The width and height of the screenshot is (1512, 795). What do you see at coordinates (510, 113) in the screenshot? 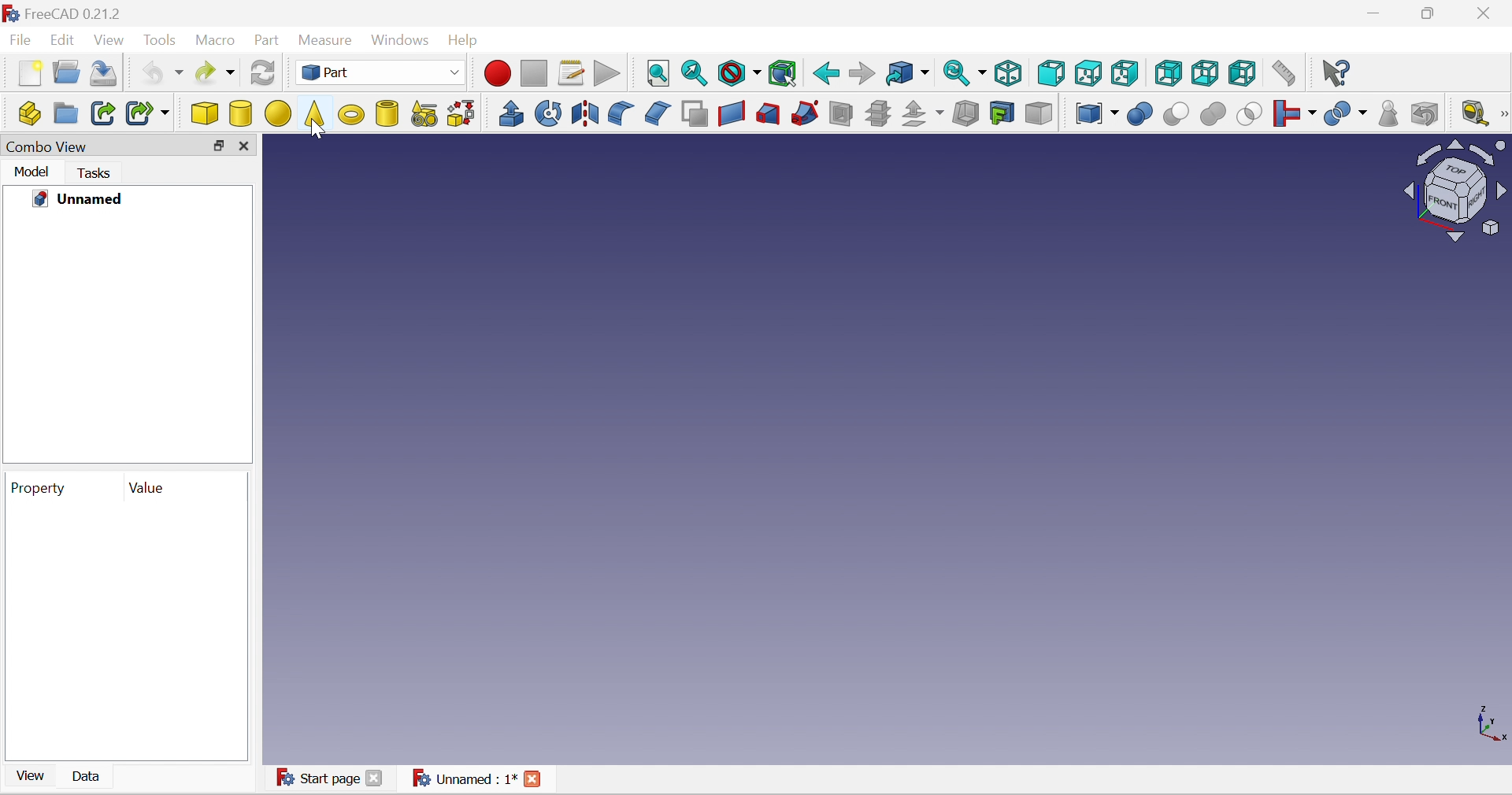
I see `Extrude` at bounding box center [510, 113].